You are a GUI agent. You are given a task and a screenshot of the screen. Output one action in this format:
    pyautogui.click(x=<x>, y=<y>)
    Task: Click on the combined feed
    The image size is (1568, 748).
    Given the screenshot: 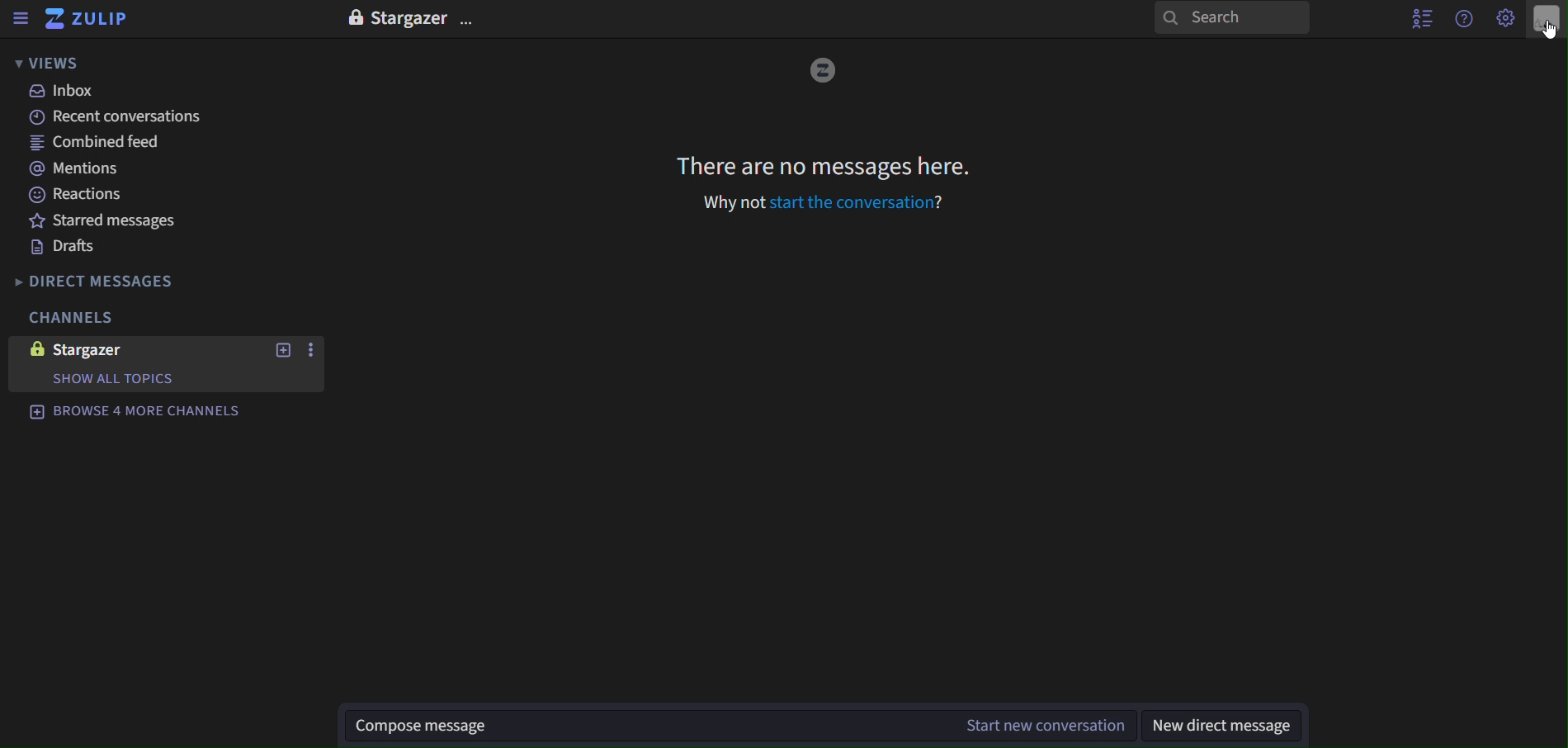 What is the action you would take?
    pyautogui.click(x=98, y=142)
    